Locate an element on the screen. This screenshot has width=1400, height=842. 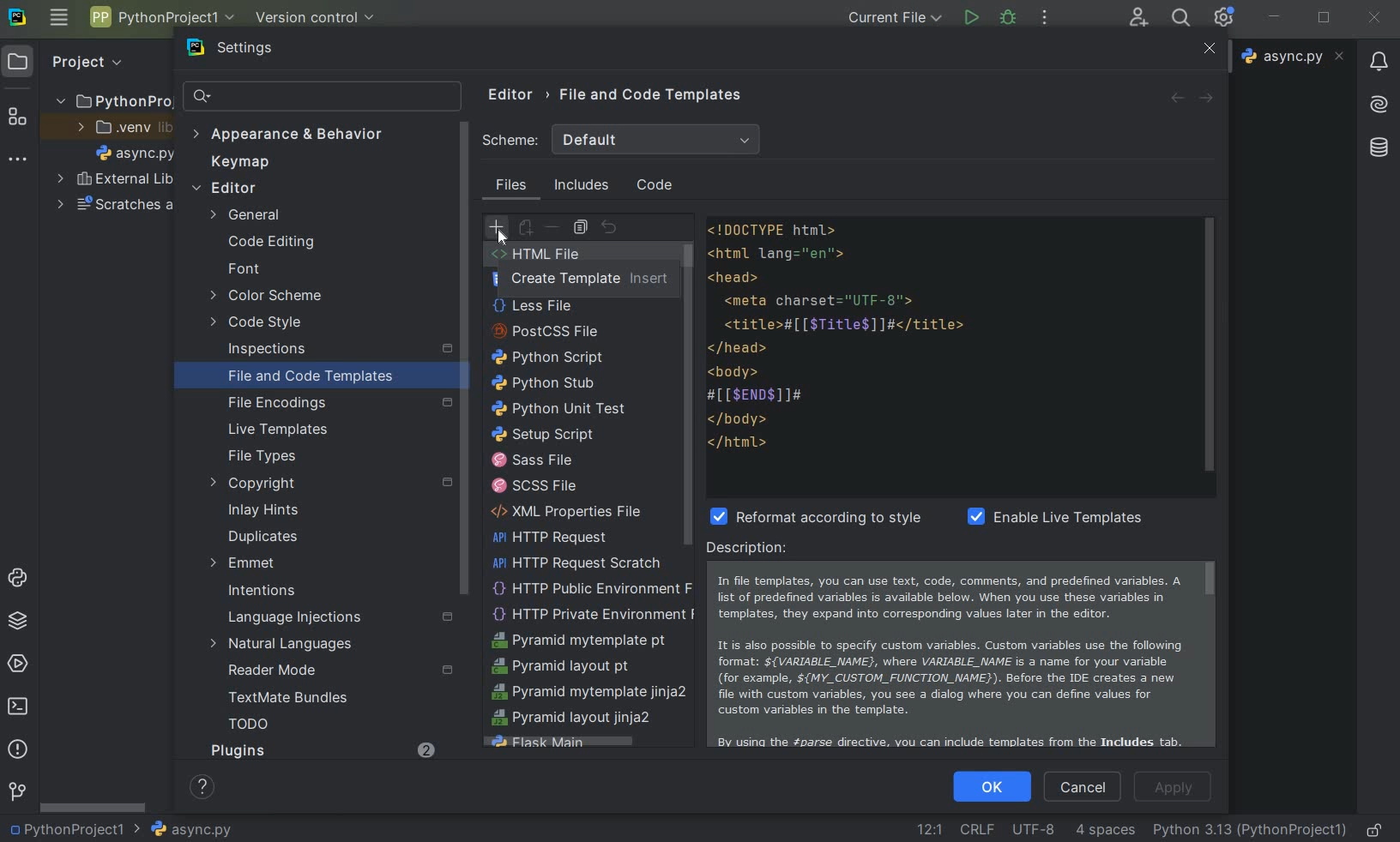
services is located at coordinates (19, 663).